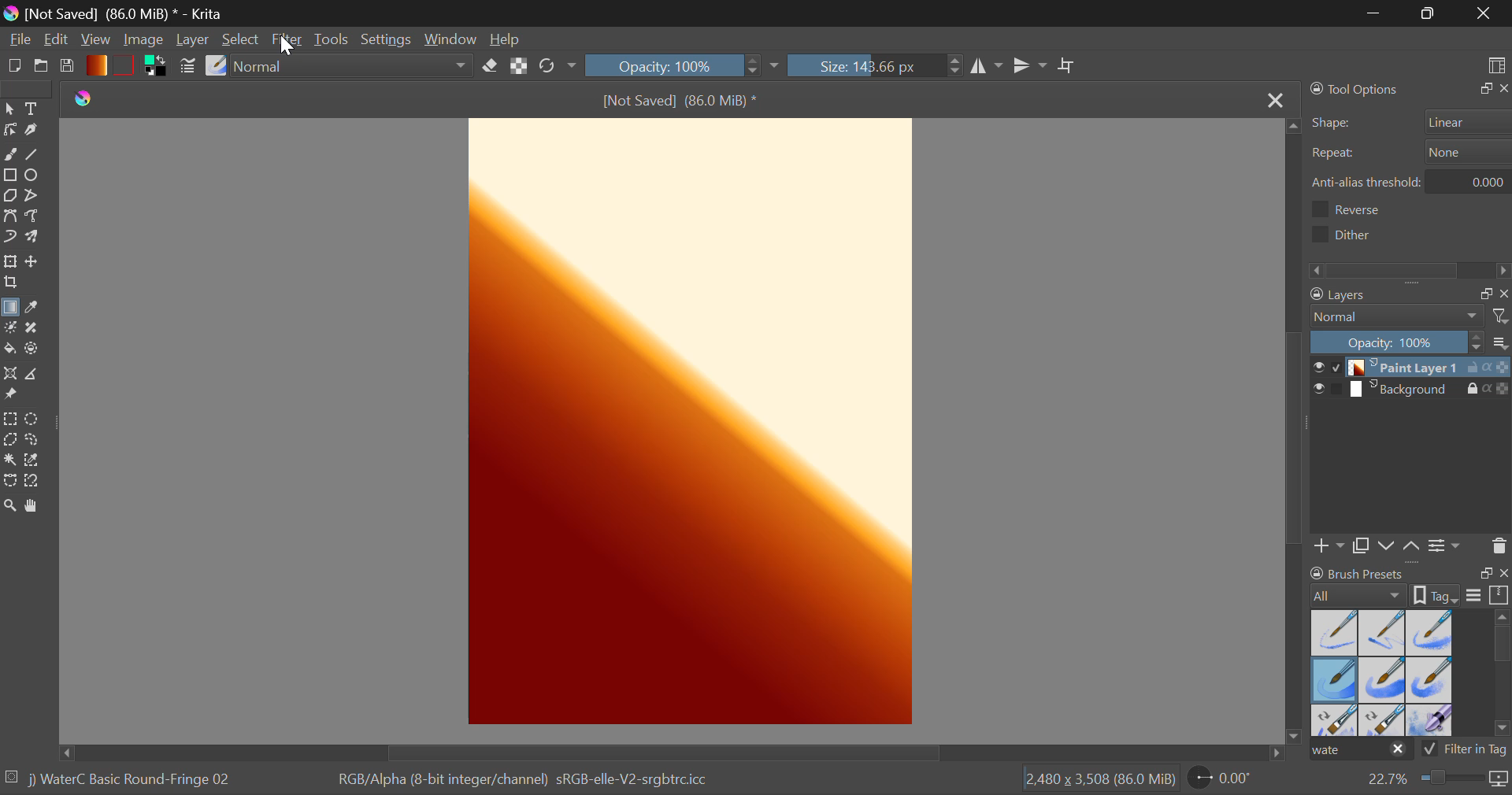 The height and width of the screenshot is (795, 1512). I want to click on expand , so click(1482, 89).